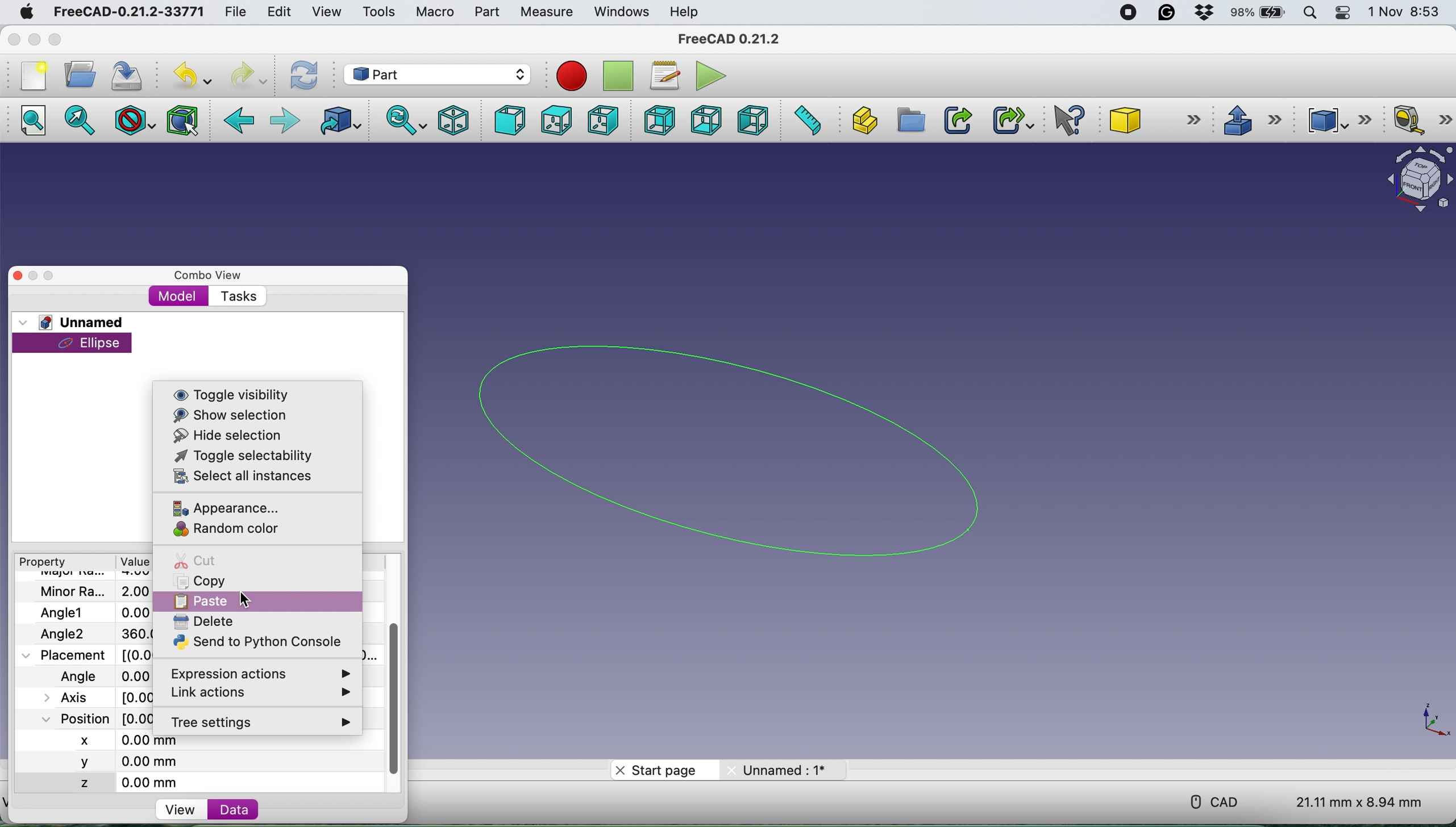 The image size is (1456, 827). I want to click on top, so click(561, 120).